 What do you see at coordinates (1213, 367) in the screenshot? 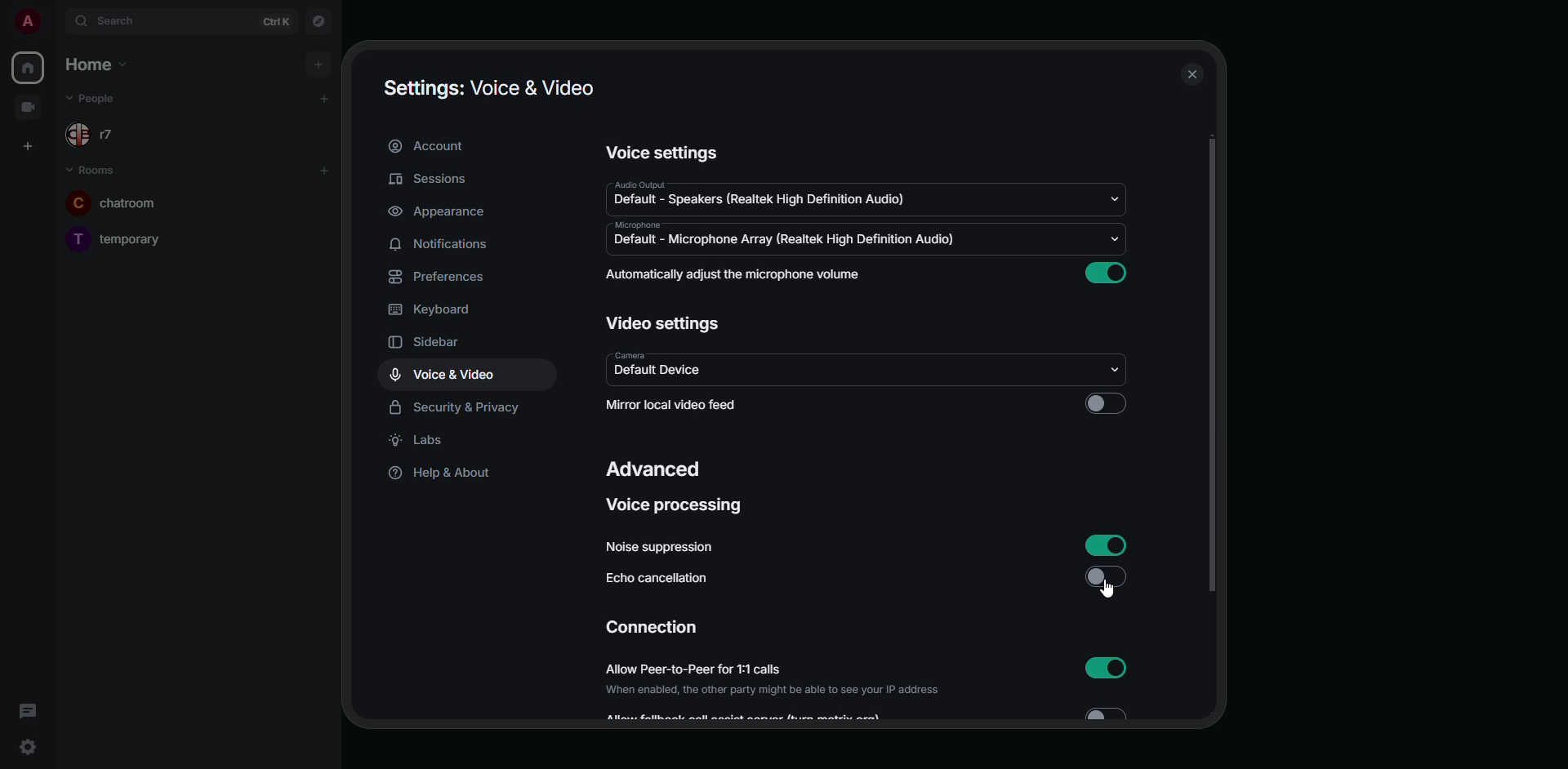
I see `scroll bar` at bounding box center [1213, 367].